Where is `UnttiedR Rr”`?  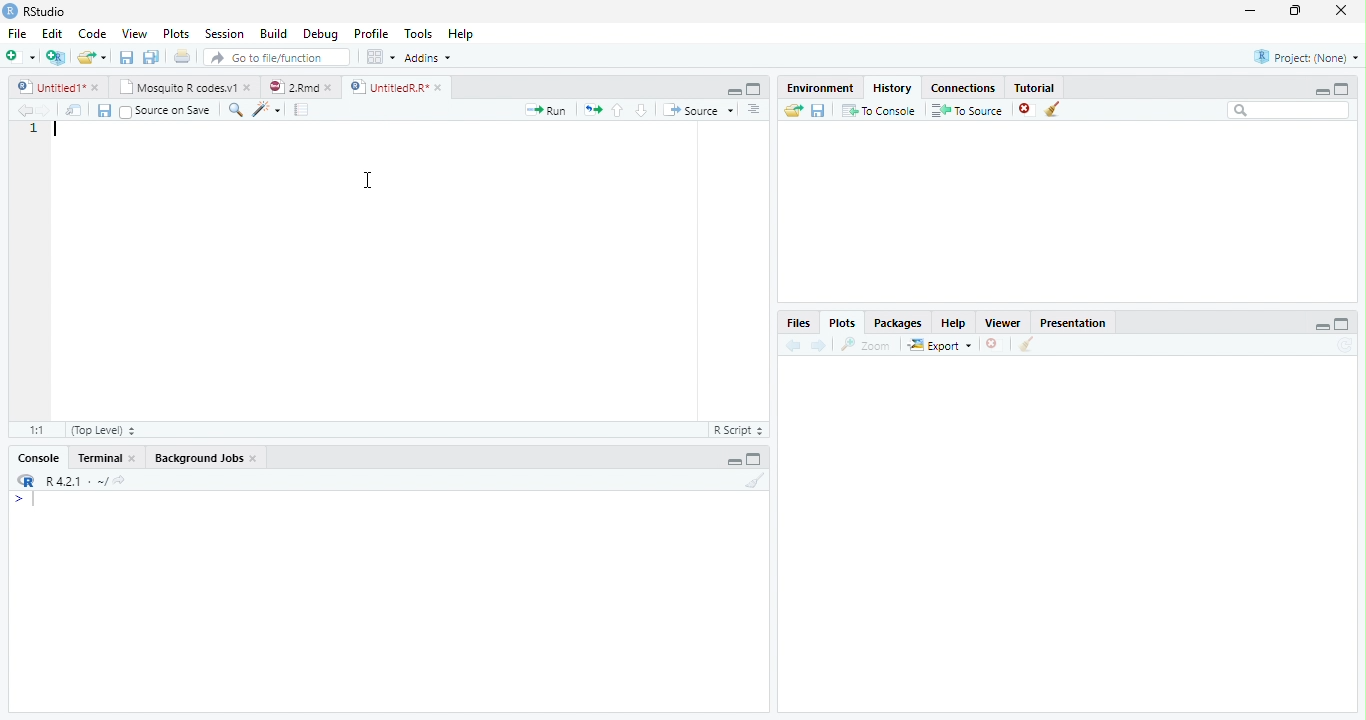
UnttiedR Rr” is located at coordinates (387, 86).